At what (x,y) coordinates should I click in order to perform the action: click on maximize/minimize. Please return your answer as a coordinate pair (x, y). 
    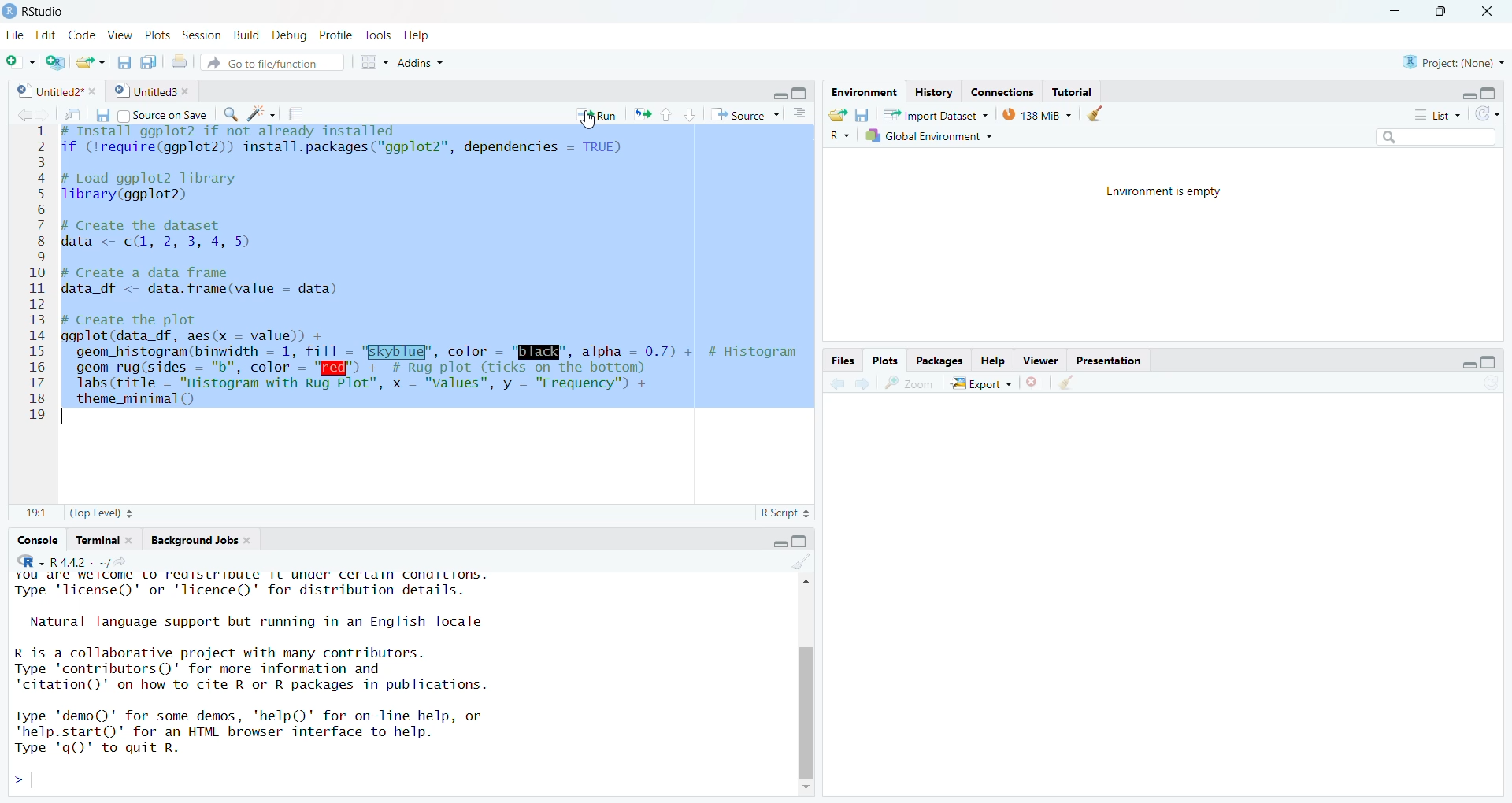
    Looking at the image, I should click on (1472, 360).